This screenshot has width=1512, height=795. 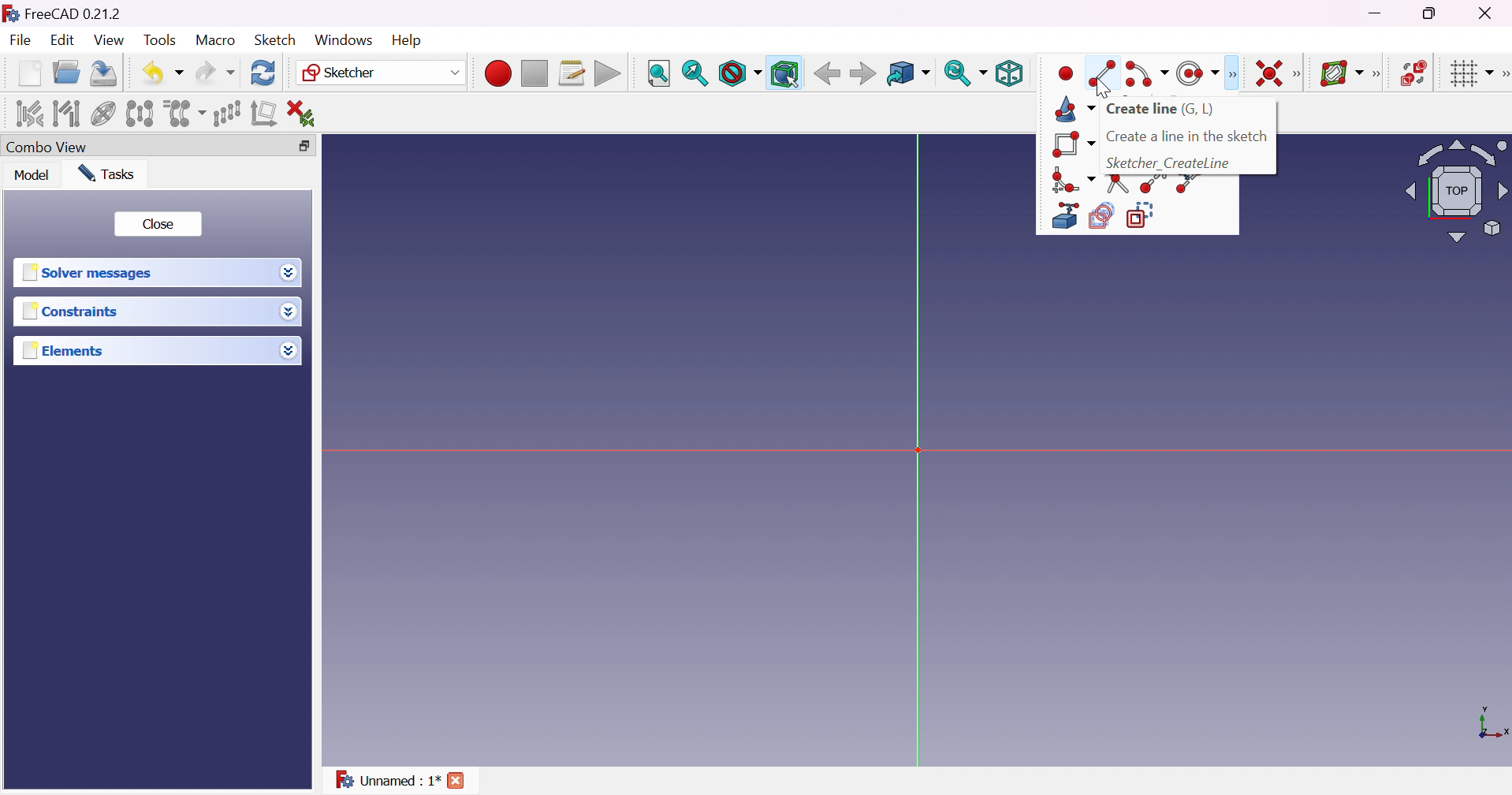 What do you see at coordinates (608, 73) in the screenshot?
I see `Execute macro` at bounding box center [608, 73].